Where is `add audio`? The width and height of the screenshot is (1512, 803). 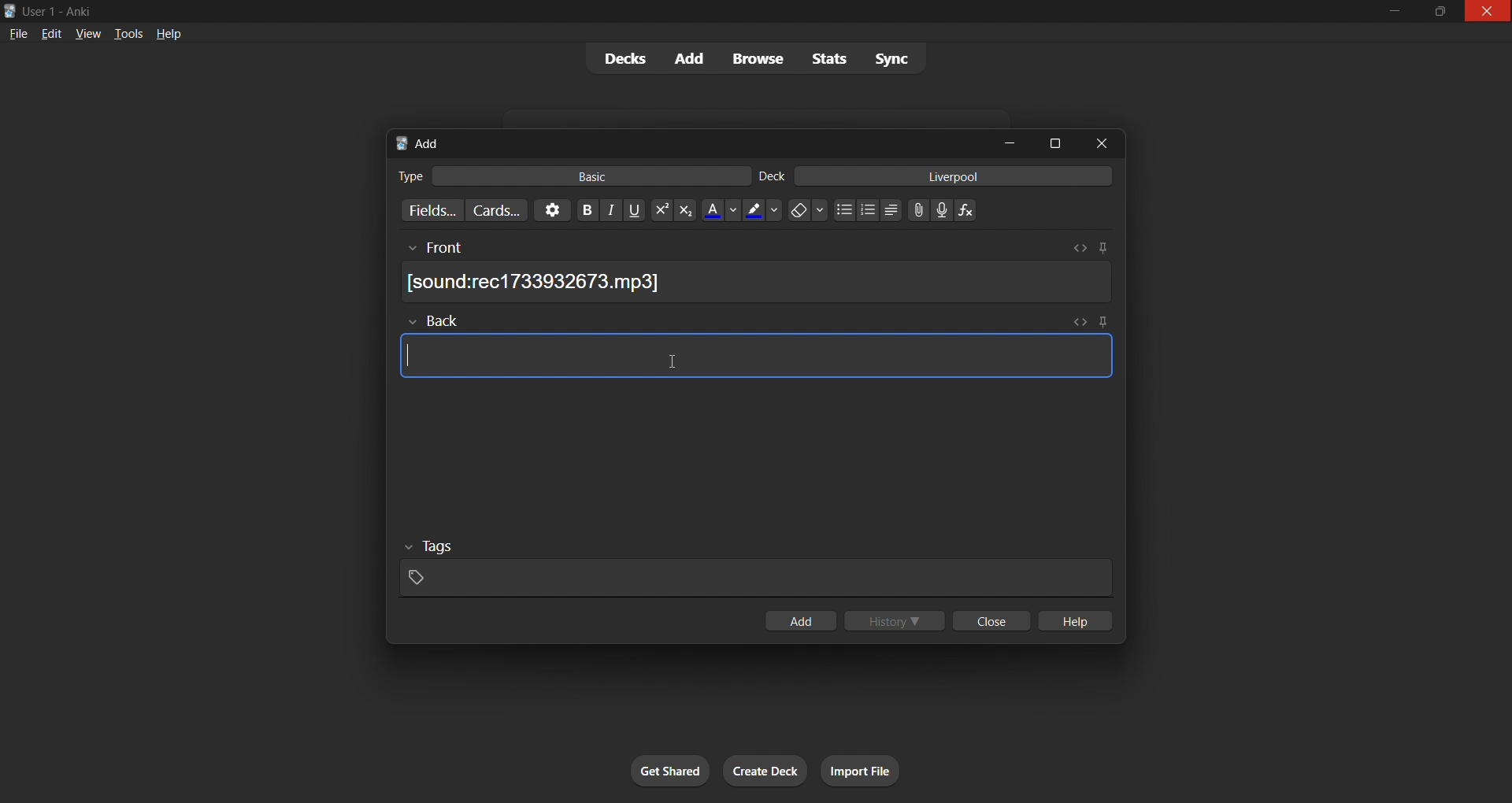
add audio is located at coordinates (942, 209).